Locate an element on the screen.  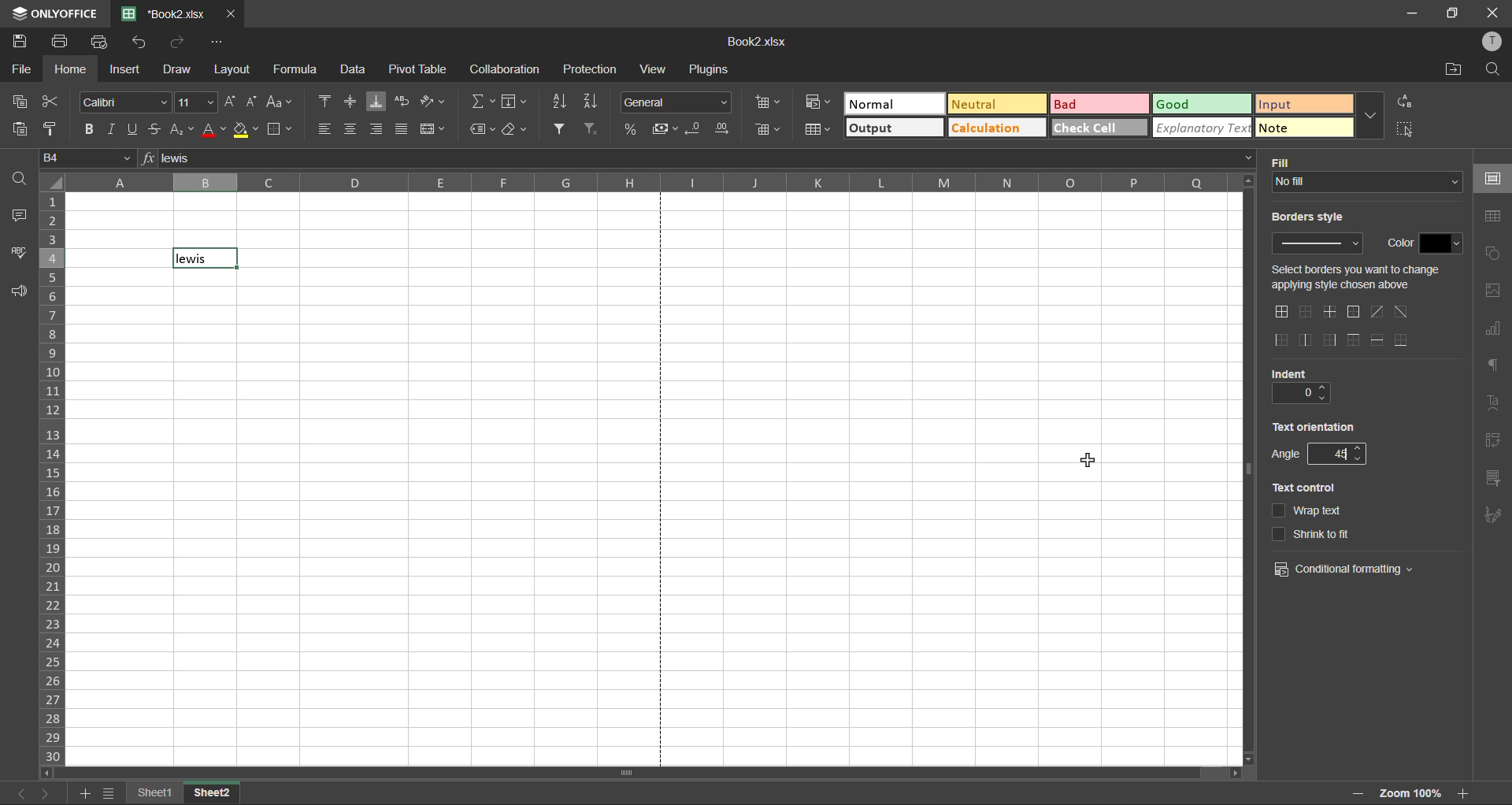
good is located at coordinates (1203, 104).